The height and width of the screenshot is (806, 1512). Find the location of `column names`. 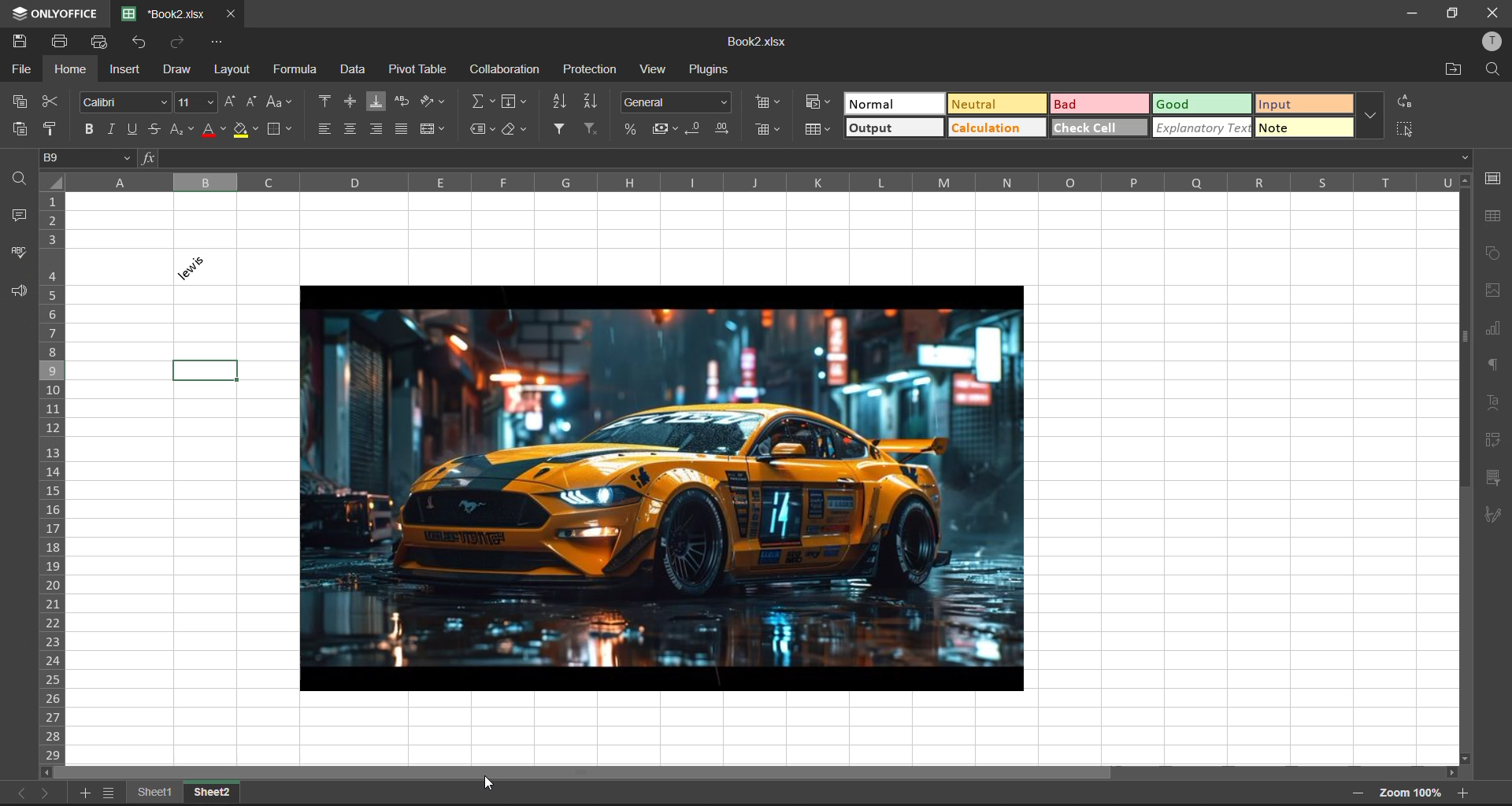

column names is located at coordinates (776, 187).